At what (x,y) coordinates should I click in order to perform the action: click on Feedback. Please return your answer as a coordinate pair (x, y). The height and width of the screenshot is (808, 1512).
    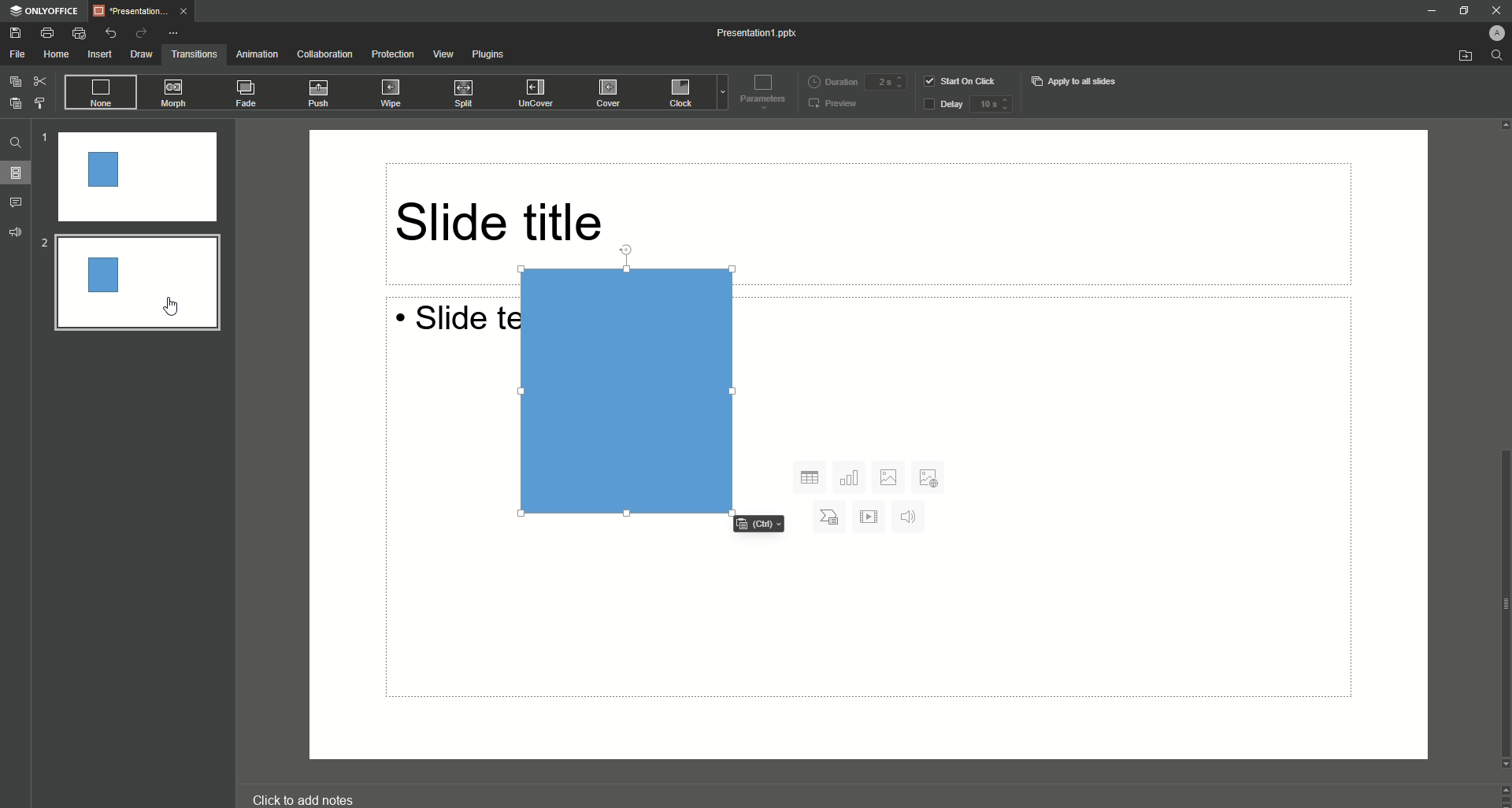
    Looking at the image, I should click on (14, 232).